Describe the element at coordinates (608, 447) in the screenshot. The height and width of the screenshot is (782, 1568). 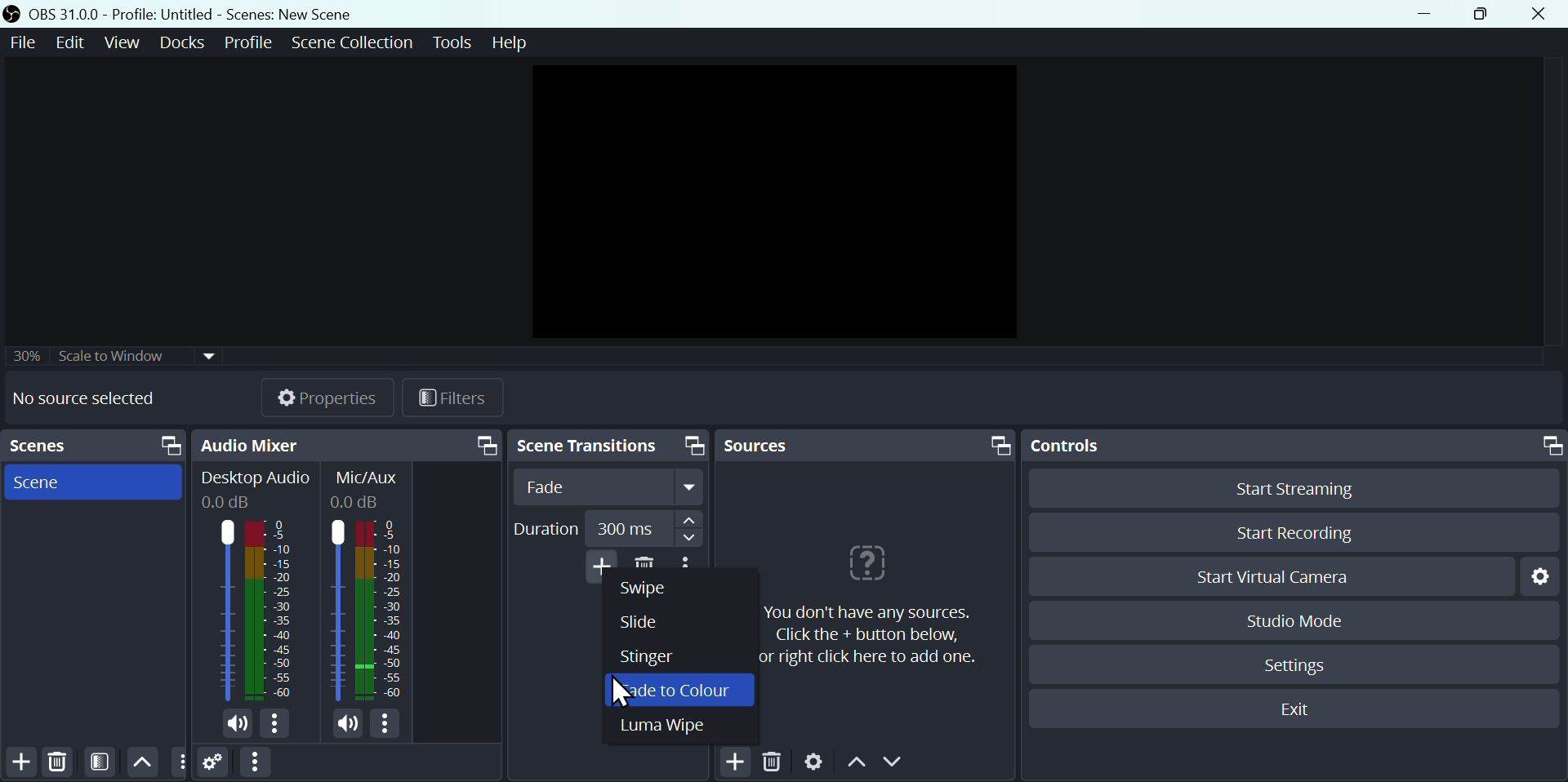
I see `` at that location.